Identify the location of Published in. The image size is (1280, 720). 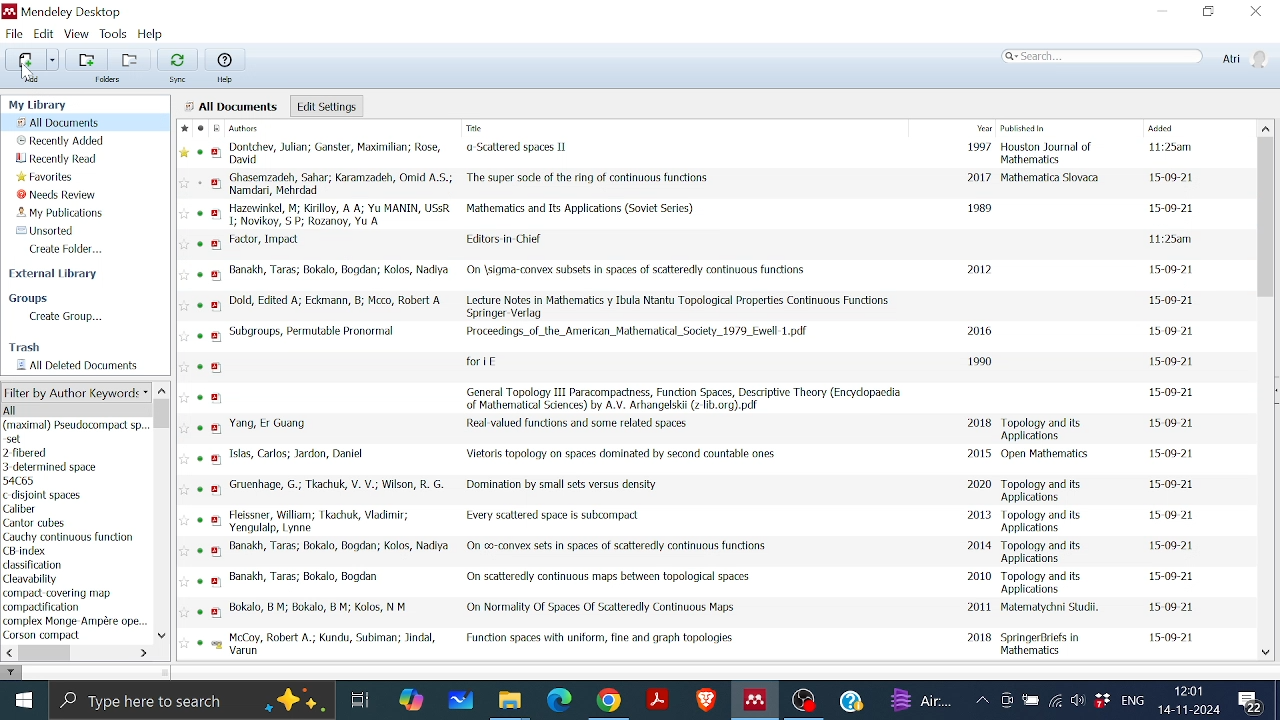
(1048, 582).